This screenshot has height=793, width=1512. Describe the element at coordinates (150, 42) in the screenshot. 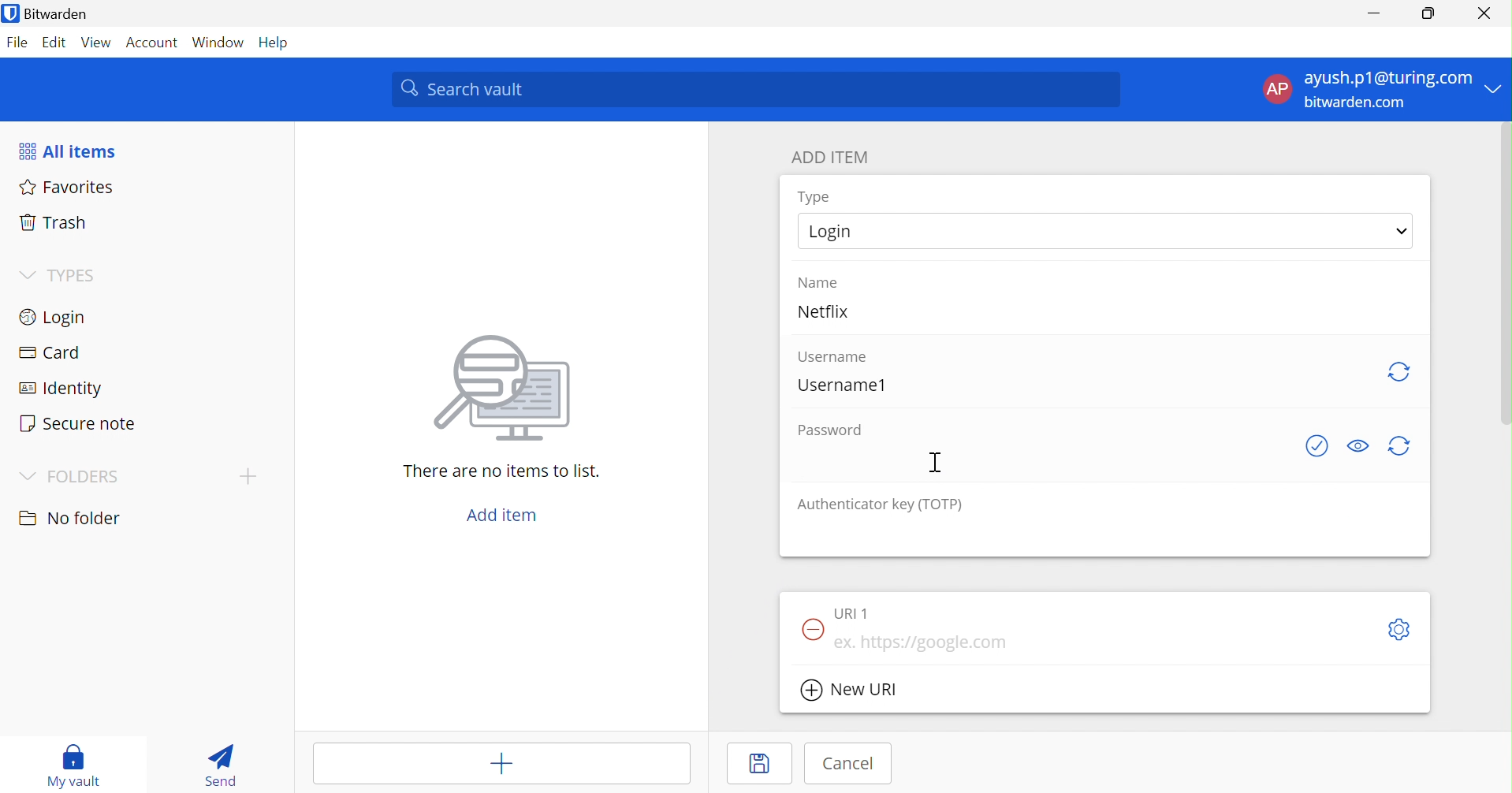

I see `Account` at that location.